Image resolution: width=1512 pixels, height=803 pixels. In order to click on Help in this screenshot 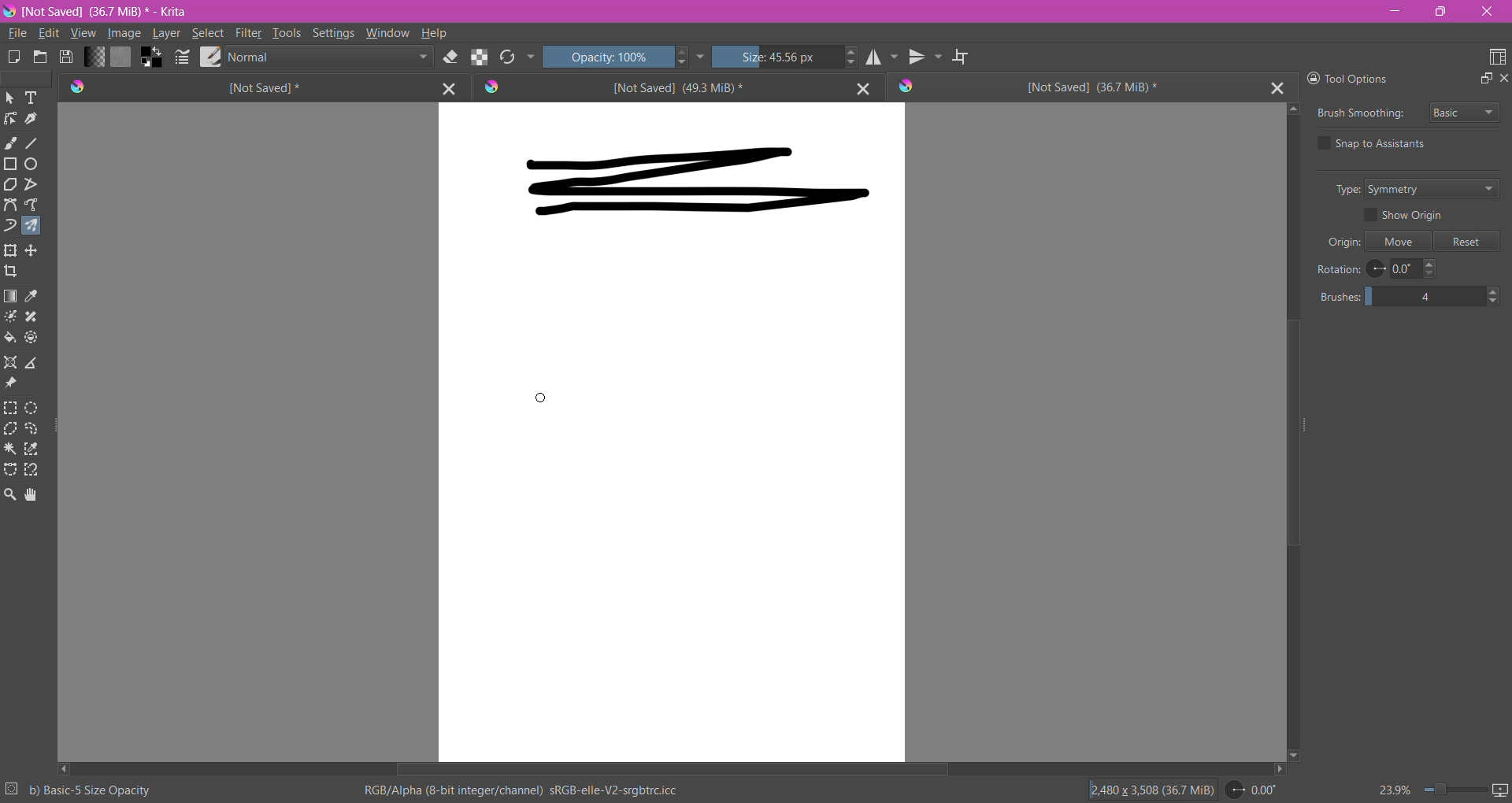, I will do `click(435, 33)`.